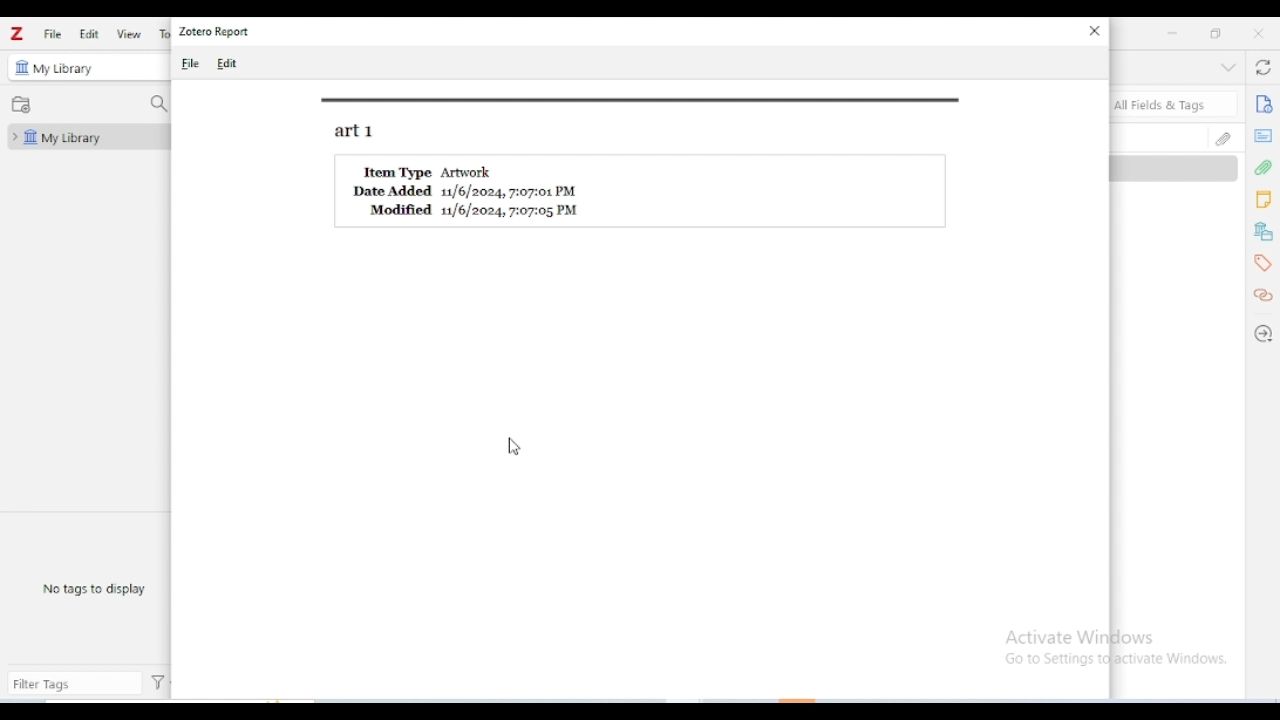 The height and width of the screenshot is (720, 1280). What do you see at coordinates (54, 34) in the screenshot?
I see `file` at bounding box center [54, 34].